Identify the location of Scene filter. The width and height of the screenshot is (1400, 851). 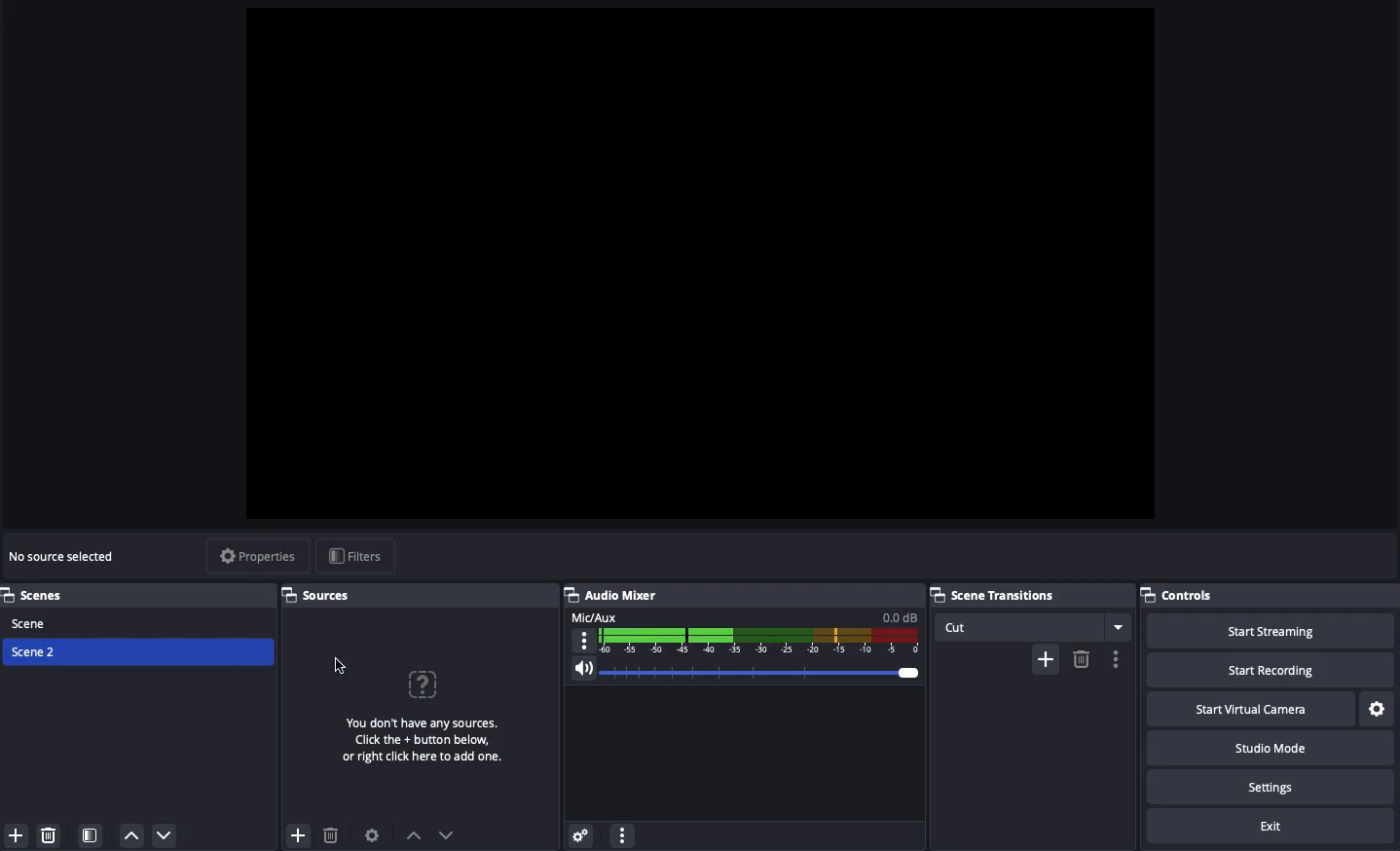
(91, 834).